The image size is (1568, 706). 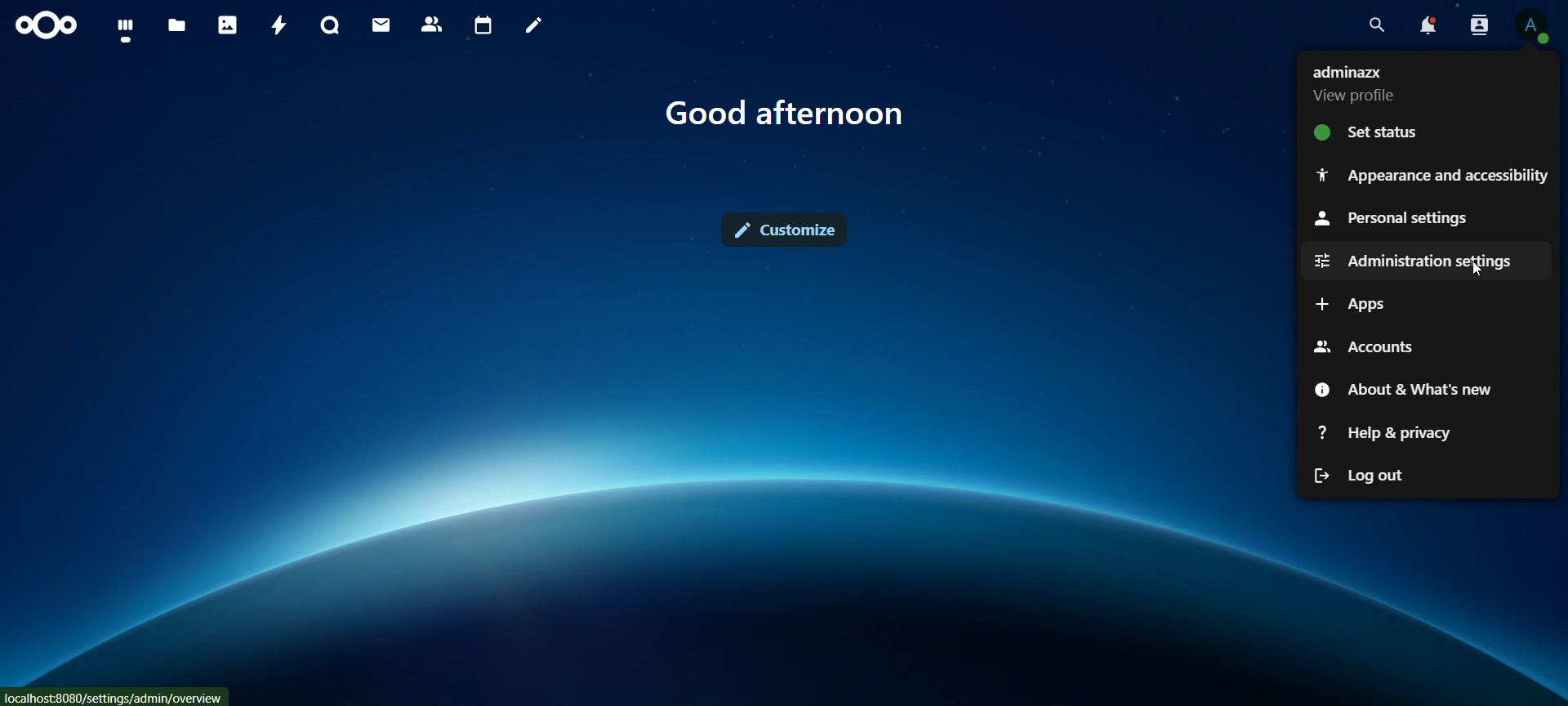 I want to click on talk, so click(x=330, y=24).